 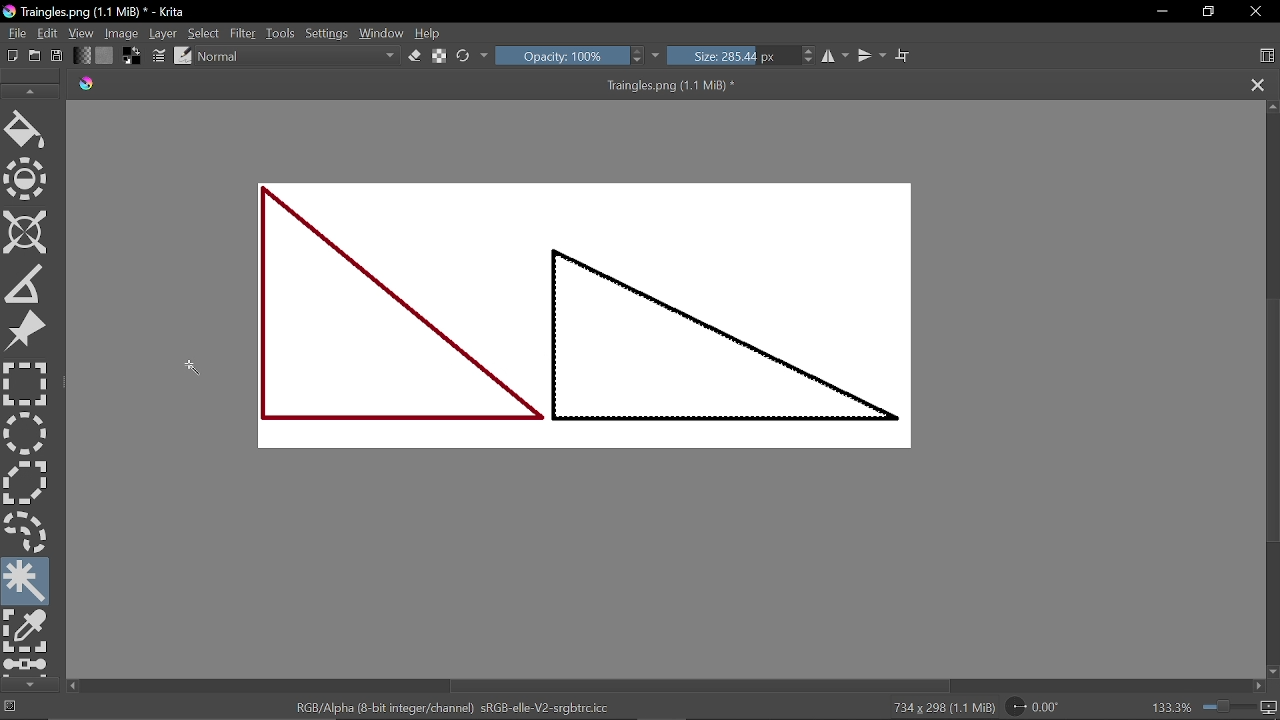 What do you see at coordinates (122, 32) in the screenshot?
I see `Image` at bounding box center [122, 32].